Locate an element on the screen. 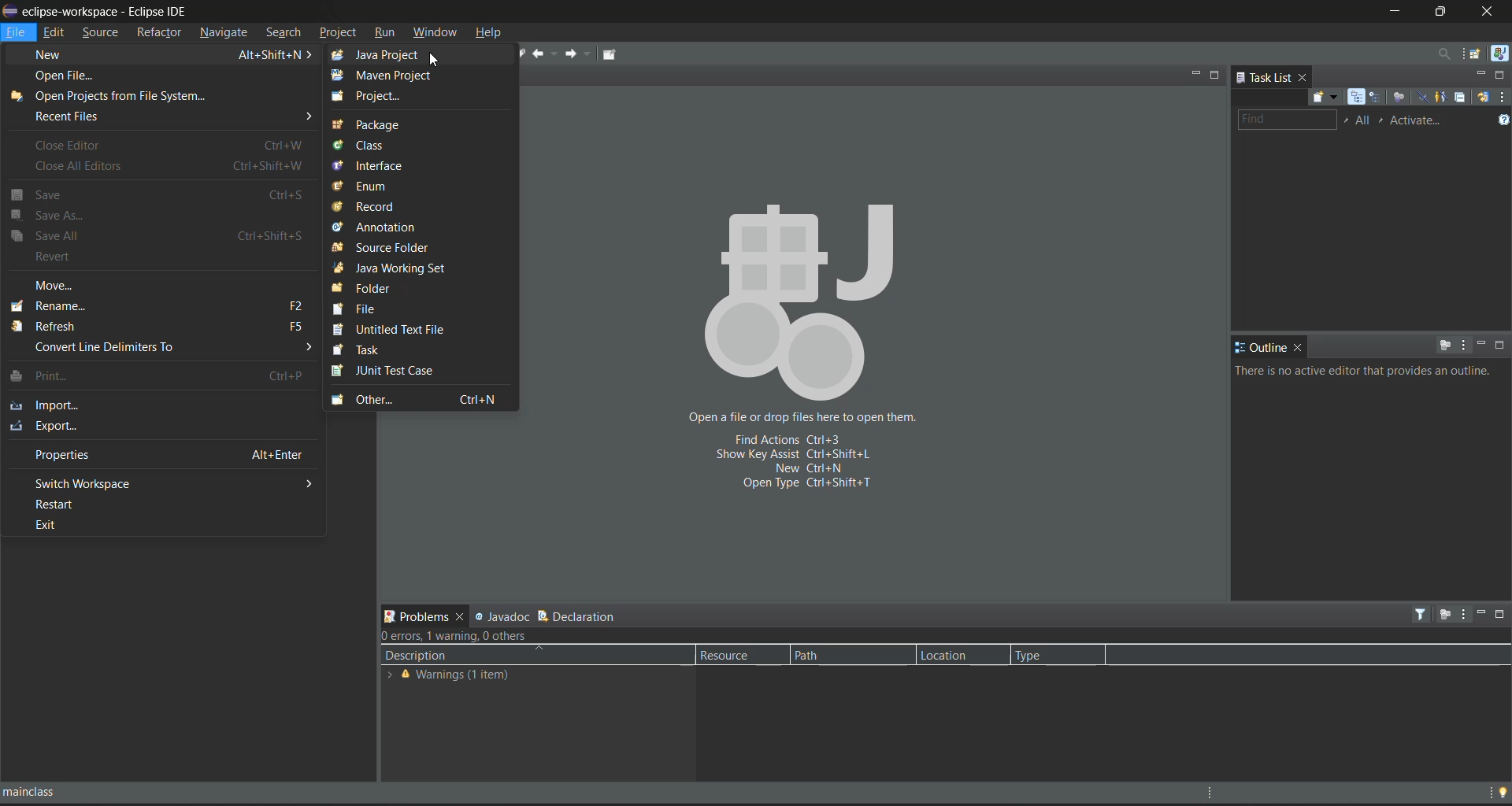 This screenshot has width=1512, height=806. filters is located at coordinates (1422, 614).